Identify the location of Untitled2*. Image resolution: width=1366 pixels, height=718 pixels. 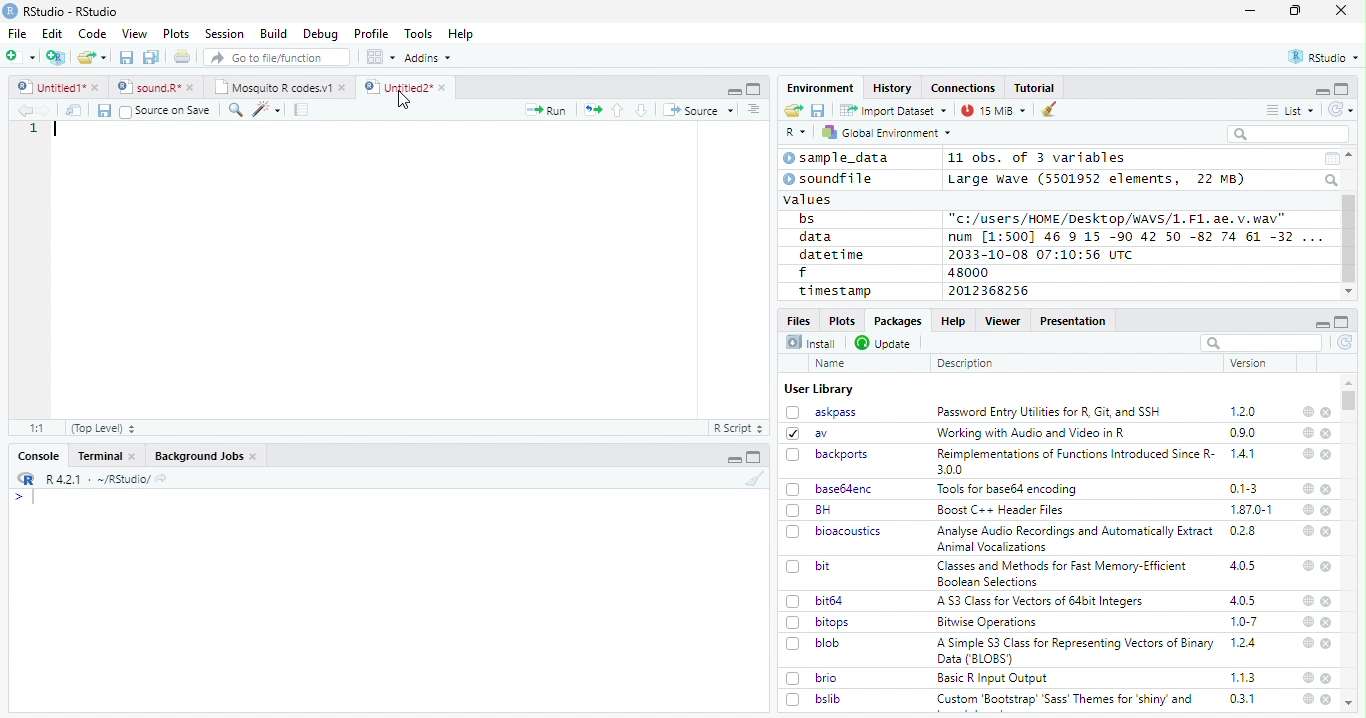
(409, 88).